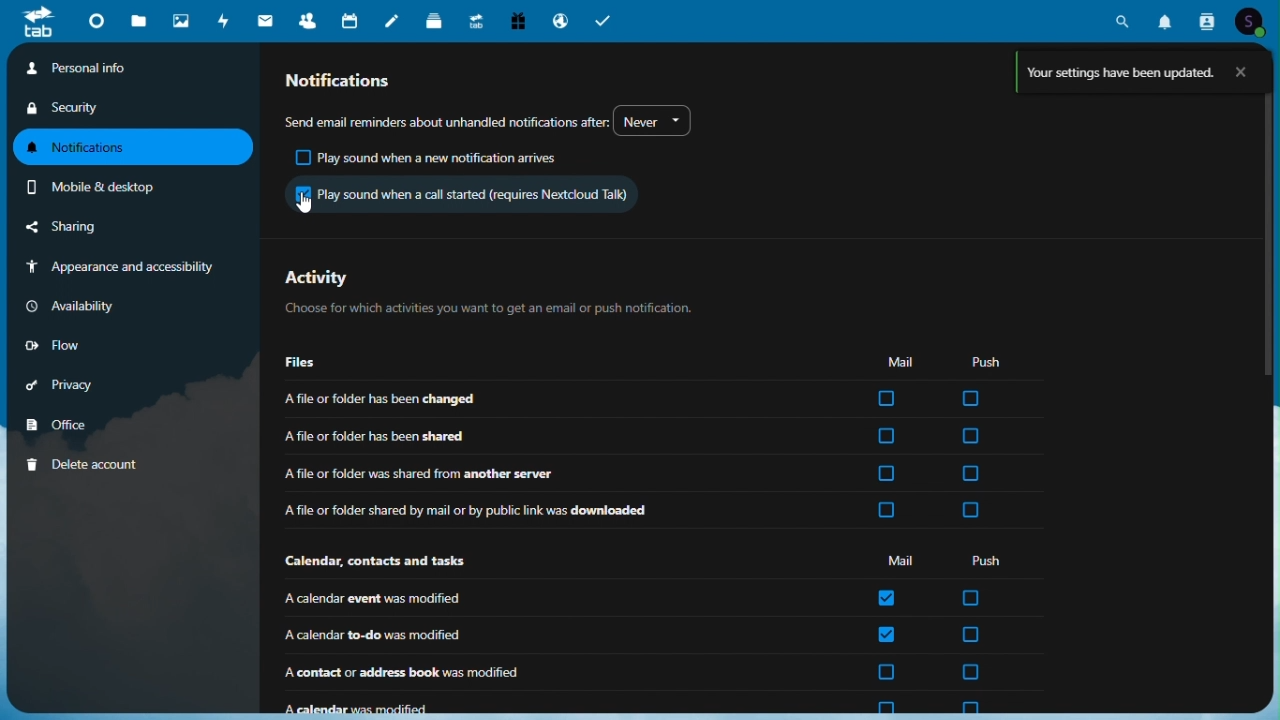  I want to click on Account icon, so click(1252, 20).